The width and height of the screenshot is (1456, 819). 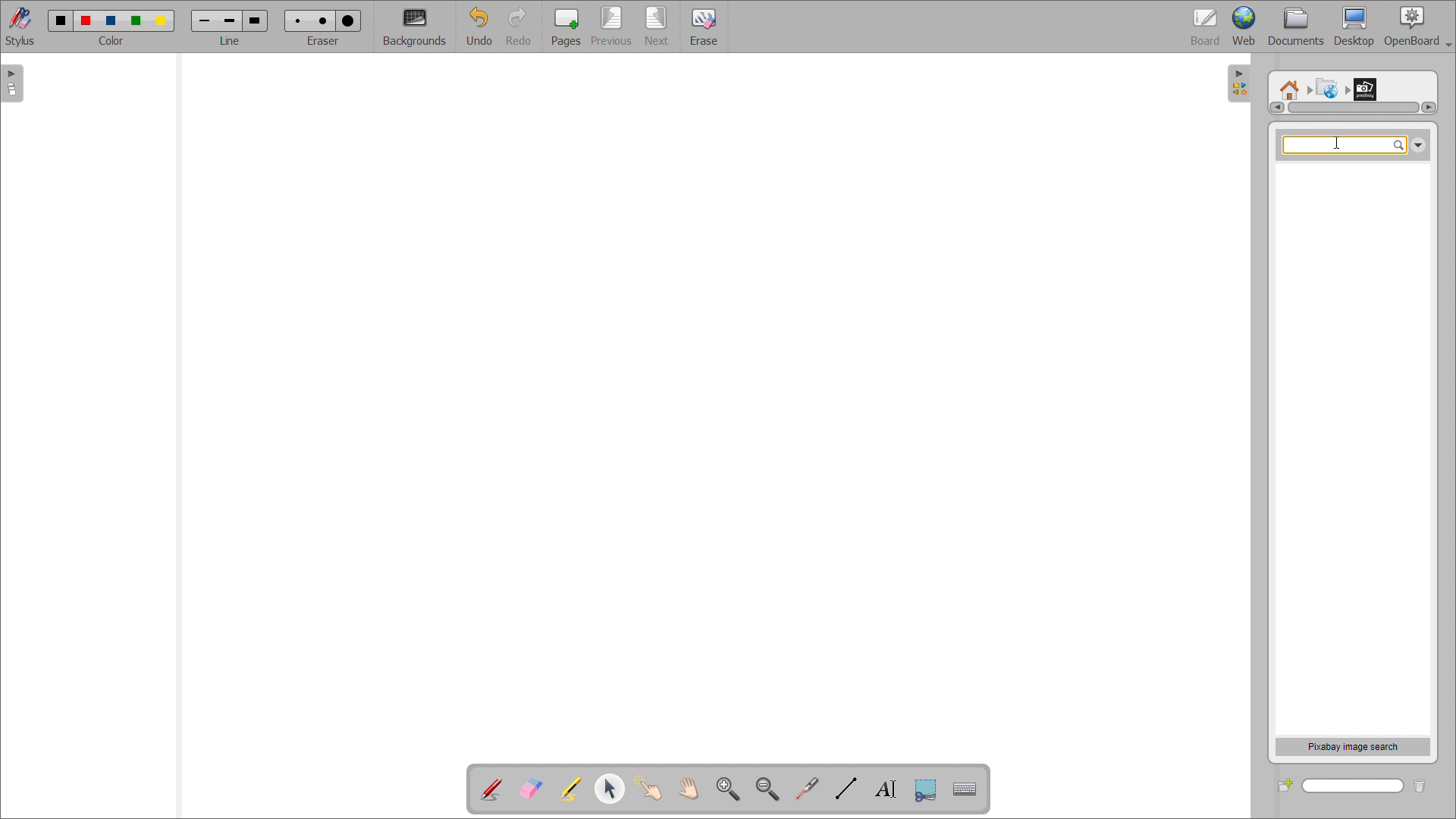 What do you see at coordinates (658, 26) in the screenshot?
I see `next page` at bounding box center [658, 26].